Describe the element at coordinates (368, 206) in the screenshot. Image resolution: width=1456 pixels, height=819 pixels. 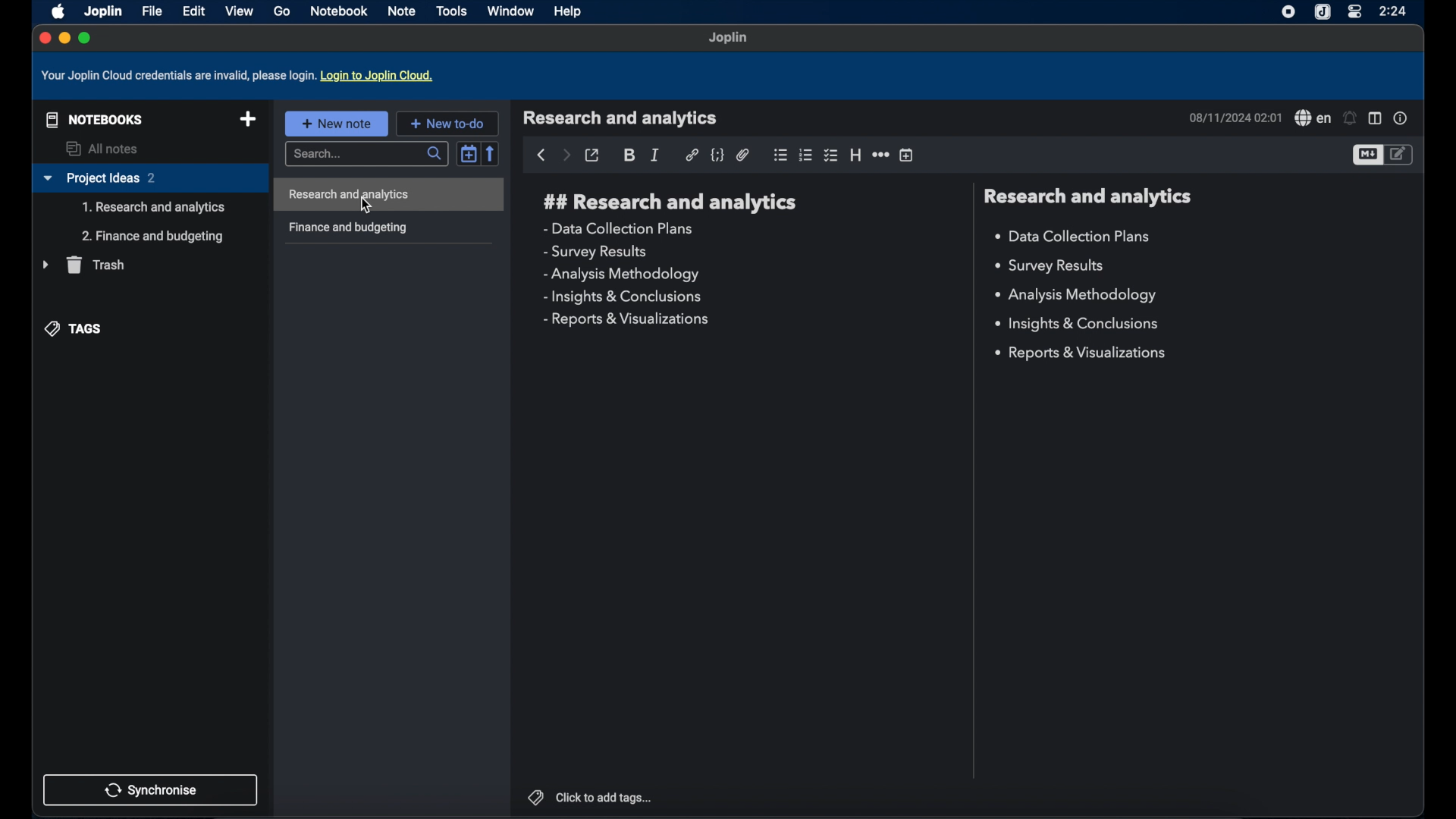
I see `cursor` at that location.